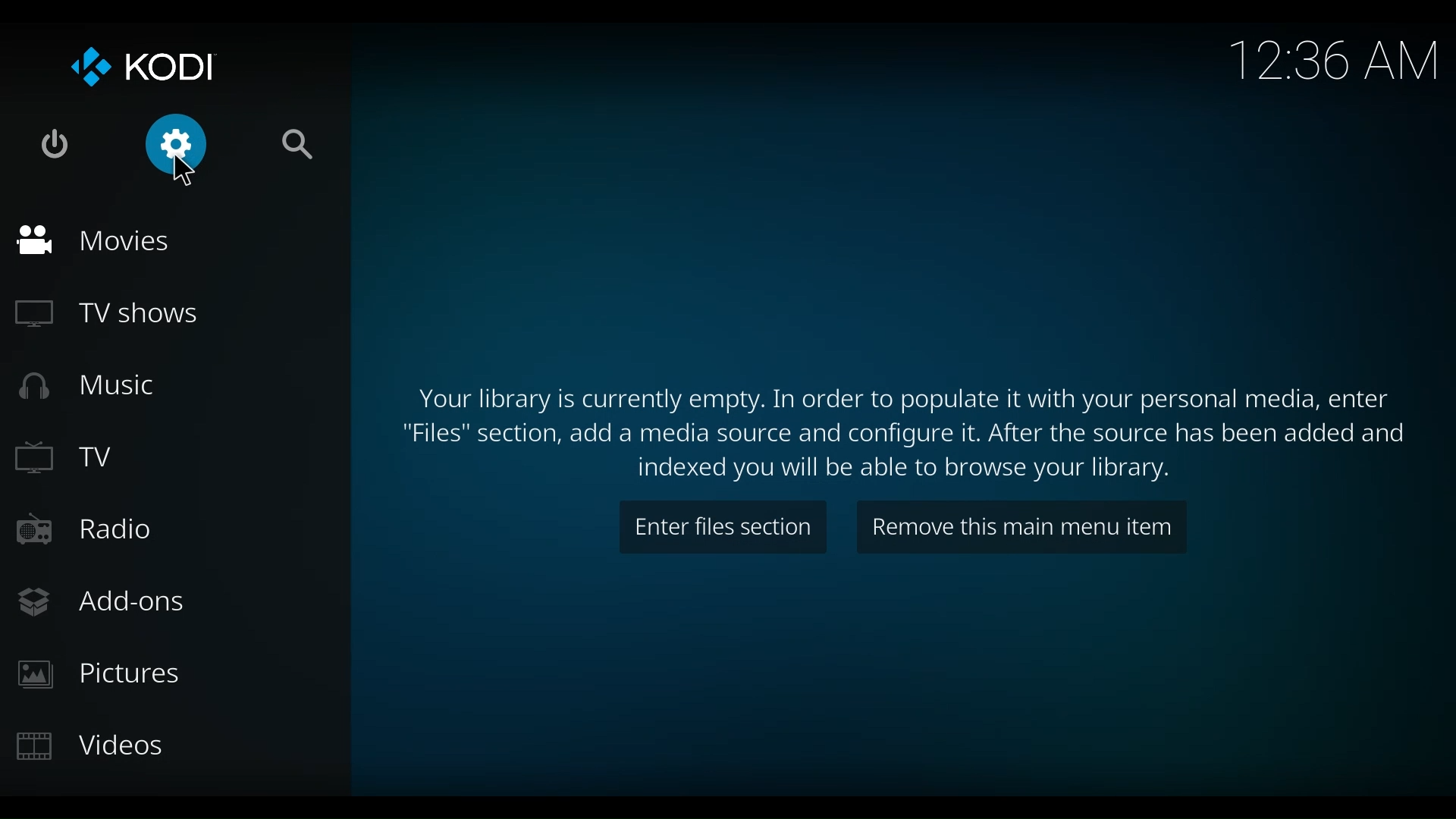  I want to click on Settings, so click(183, 153).